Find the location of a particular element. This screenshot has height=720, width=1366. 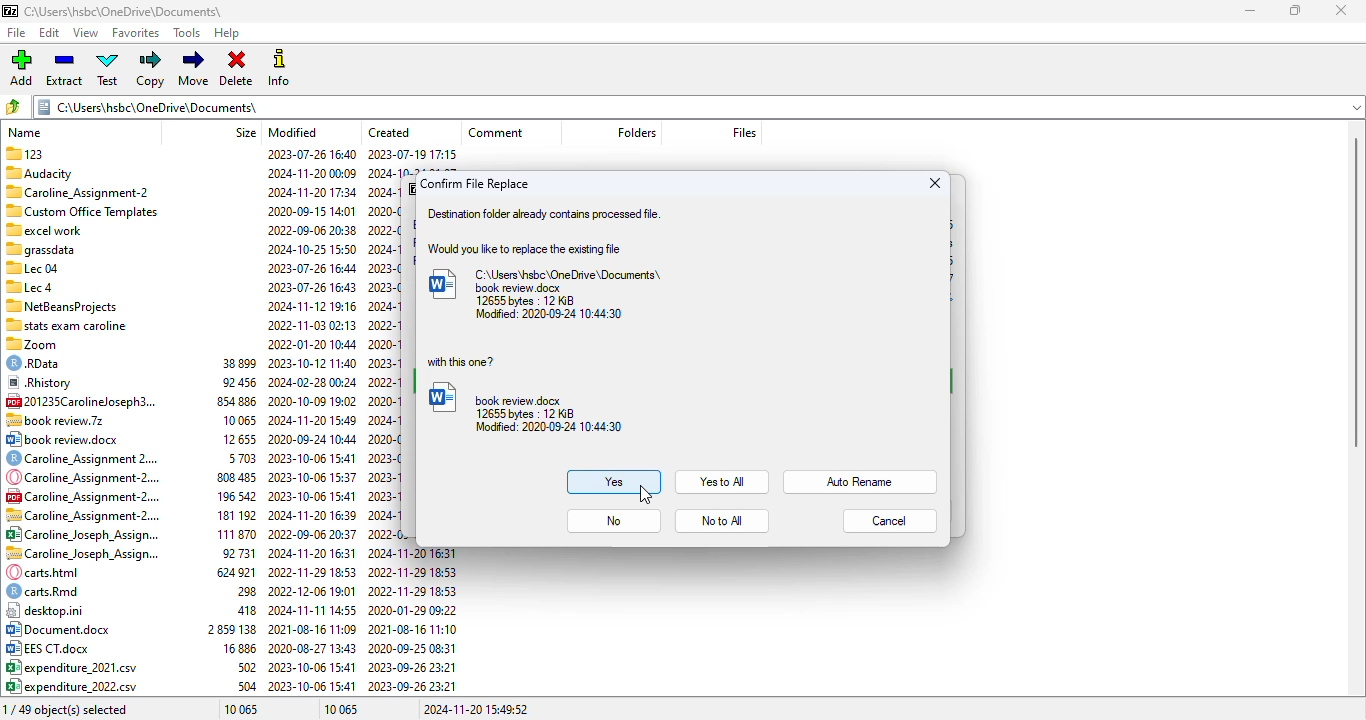

minimize is located at coordinates (1250, 11).